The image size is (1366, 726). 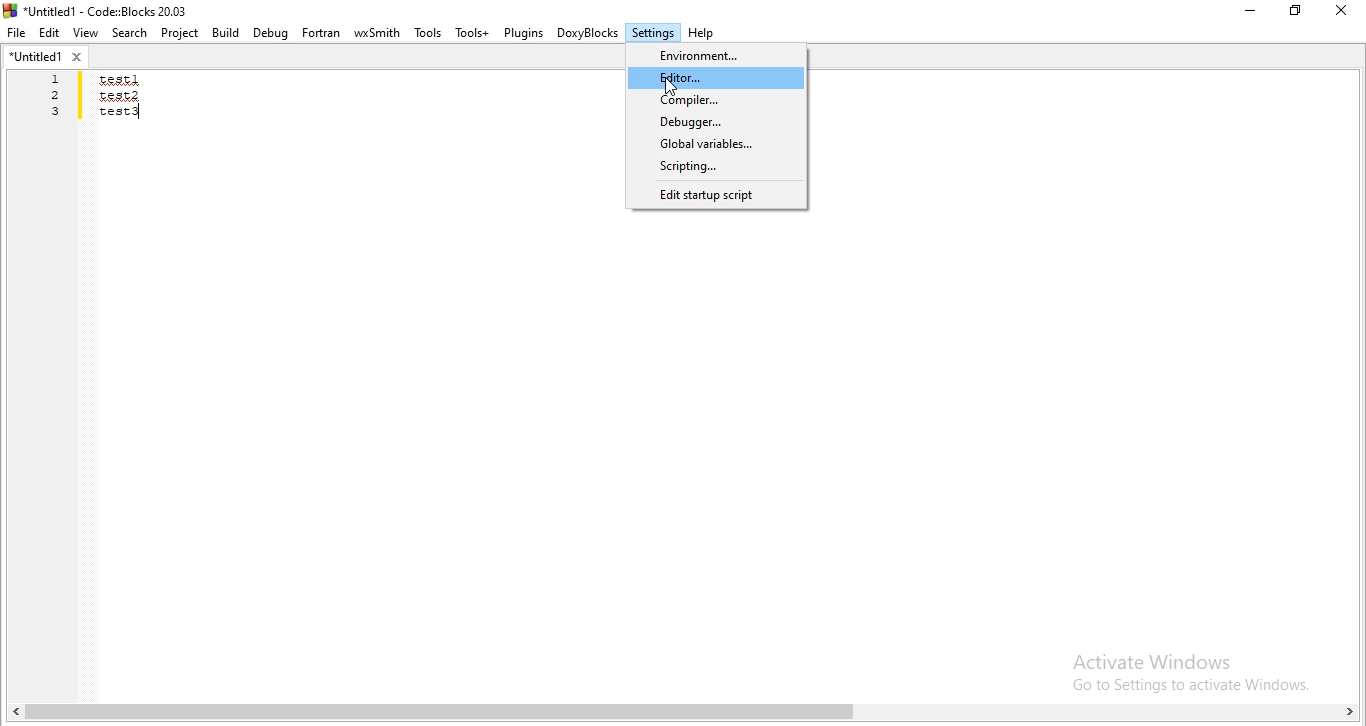 What do you see at coordinates (1297, 10) in the screenshot?
I see `Restore` at bounding box center [1297, 10].